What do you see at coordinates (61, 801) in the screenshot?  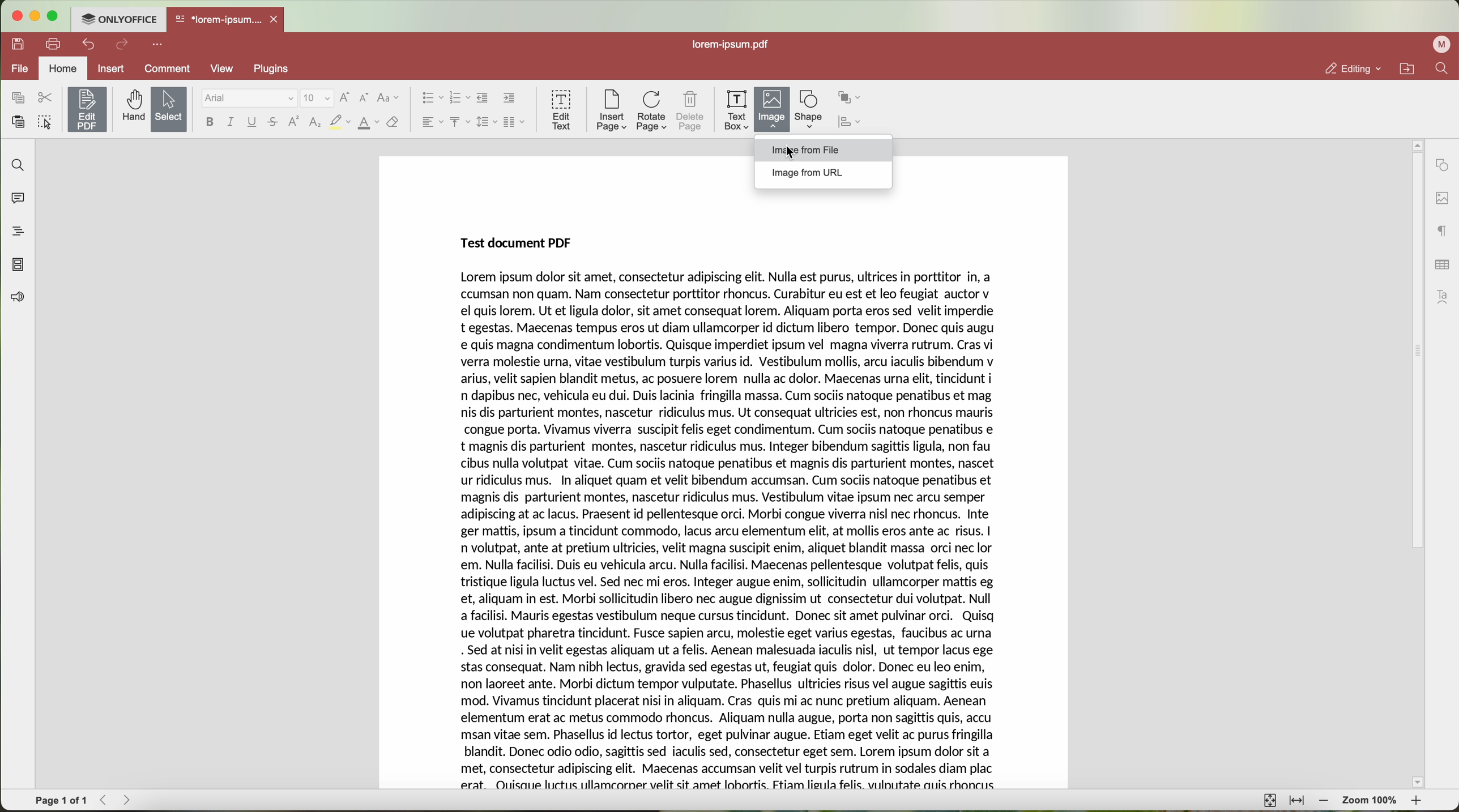 I see `page 1 of 1` at bounding box center [61, 801].